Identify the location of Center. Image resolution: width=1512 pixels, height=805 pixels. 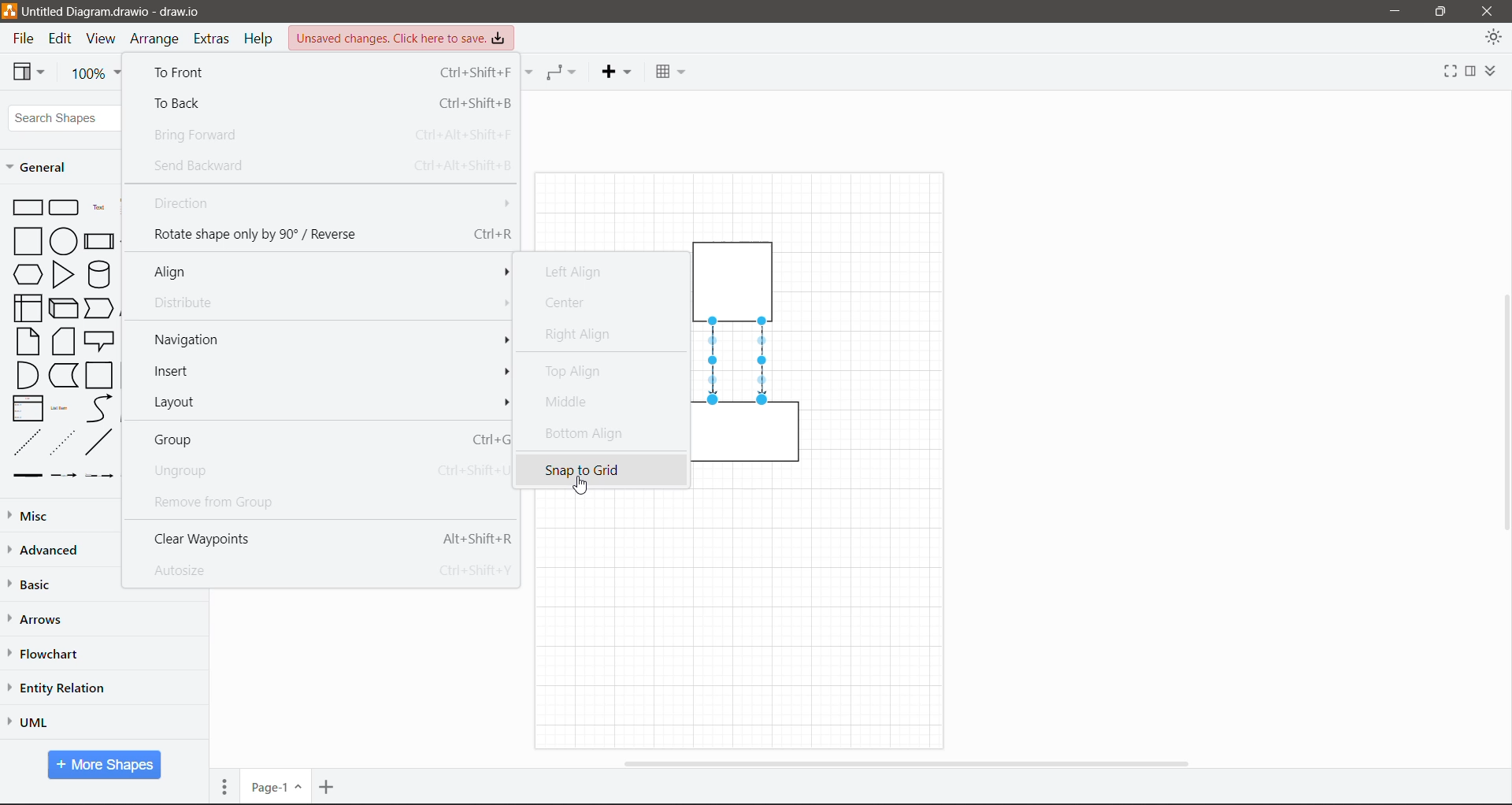
(573, 303).